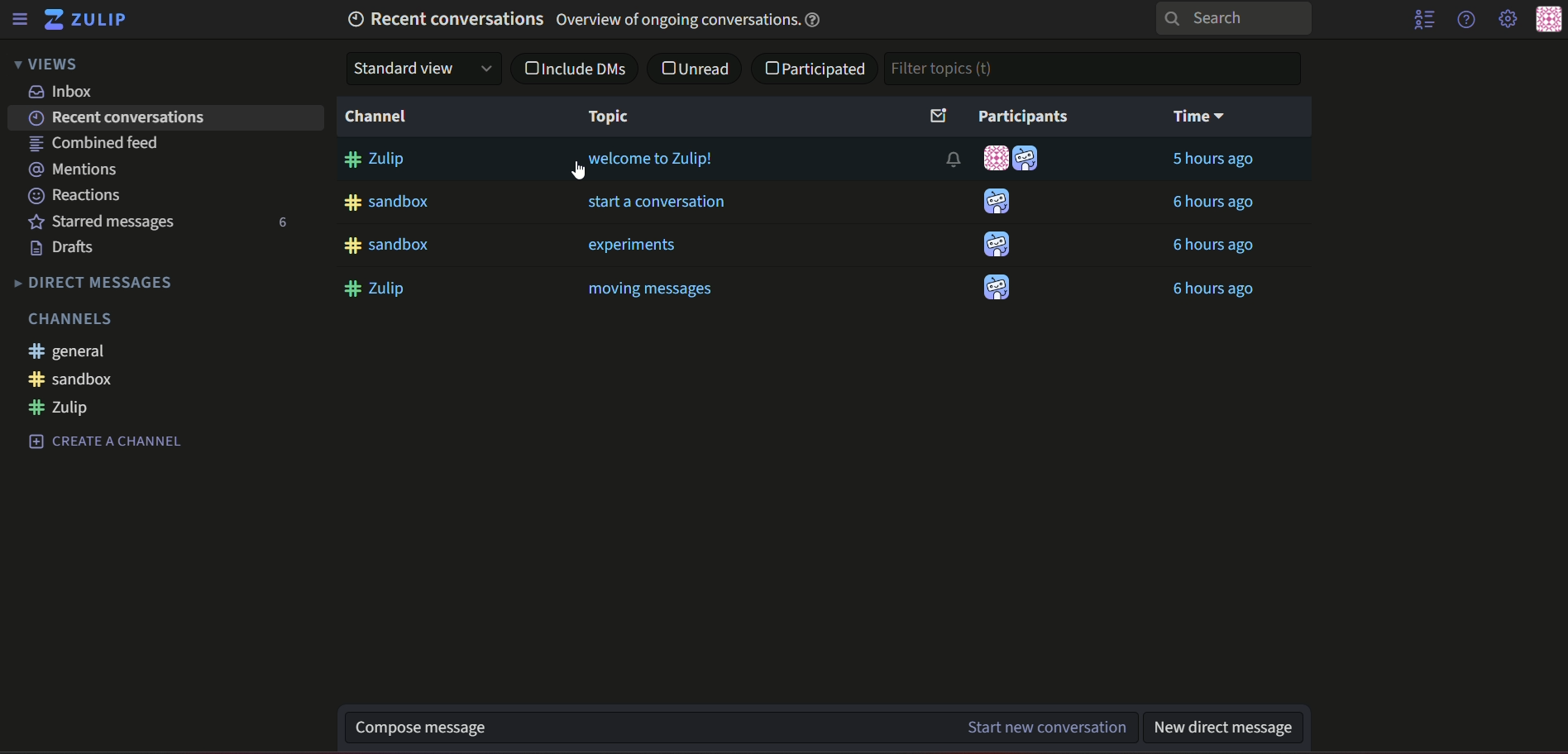 The height and width of the screenshot is (754, 1568). What do you see at coordinates (996, 158) in the screenshot?
I see `icon` at bounding box center [996, 158].